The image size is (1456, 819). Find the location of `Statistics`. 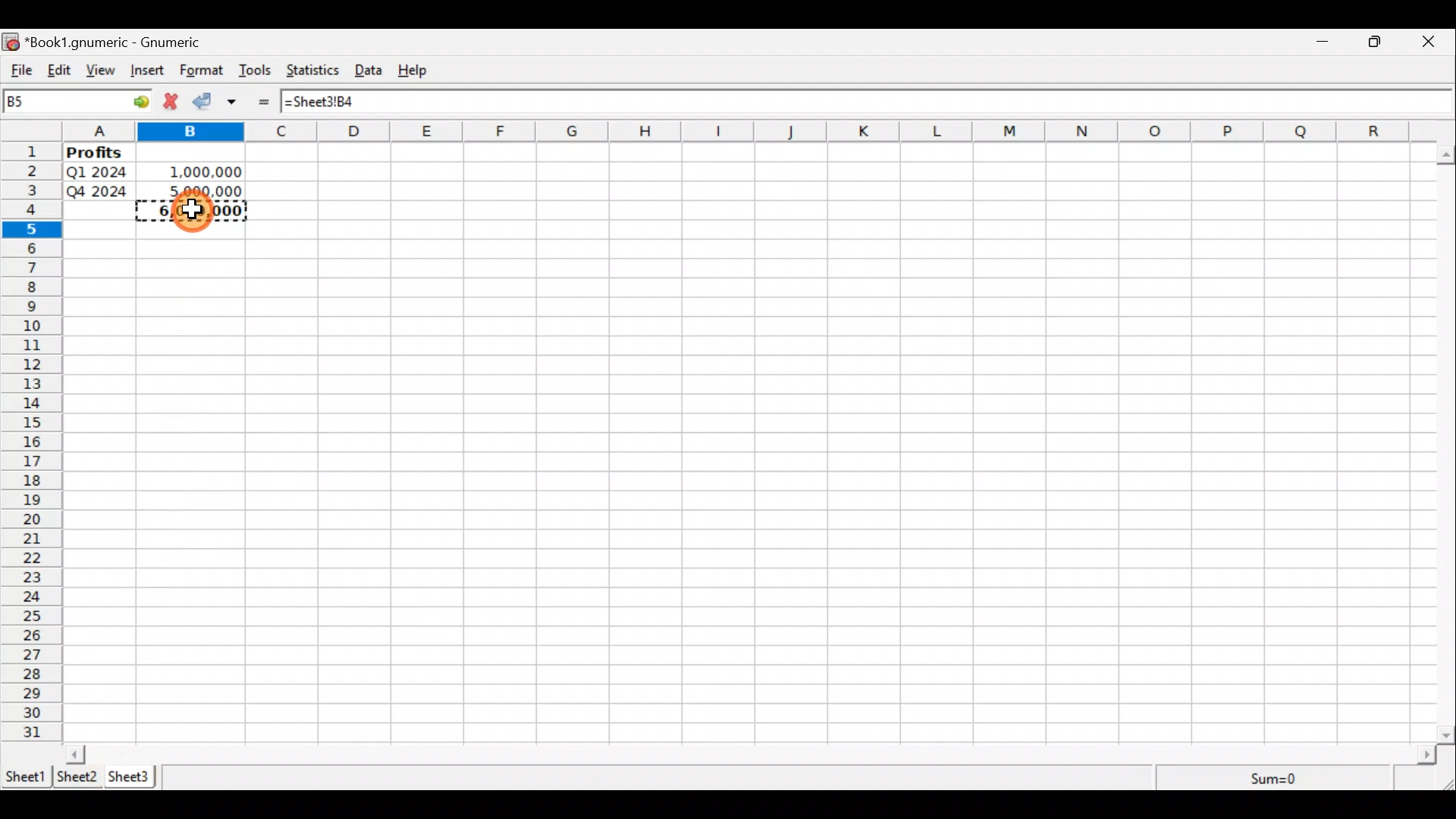

Statistics is located at coordinates (315, 72).